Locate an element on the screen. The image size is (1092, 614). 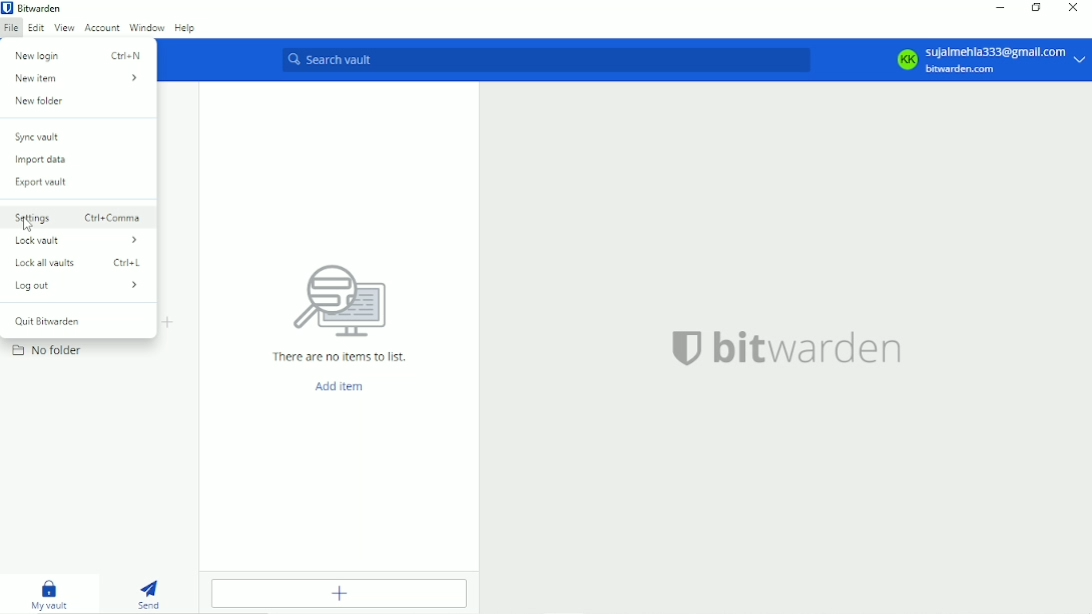
Close is located at coordinates (1074, 9).